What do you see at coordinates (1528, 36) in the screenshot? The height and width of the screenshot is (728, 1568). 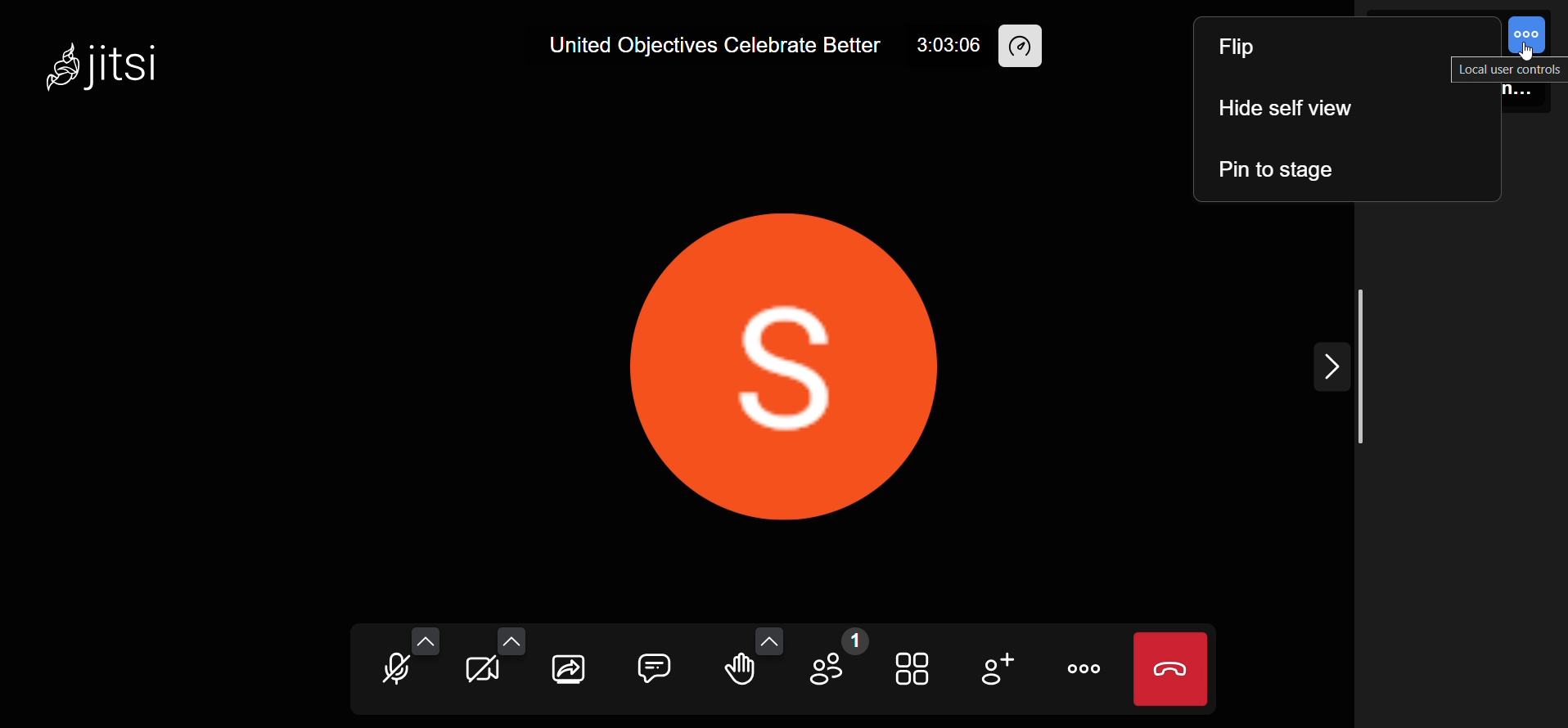 I see `control options` at bounding box center [1528, 36].